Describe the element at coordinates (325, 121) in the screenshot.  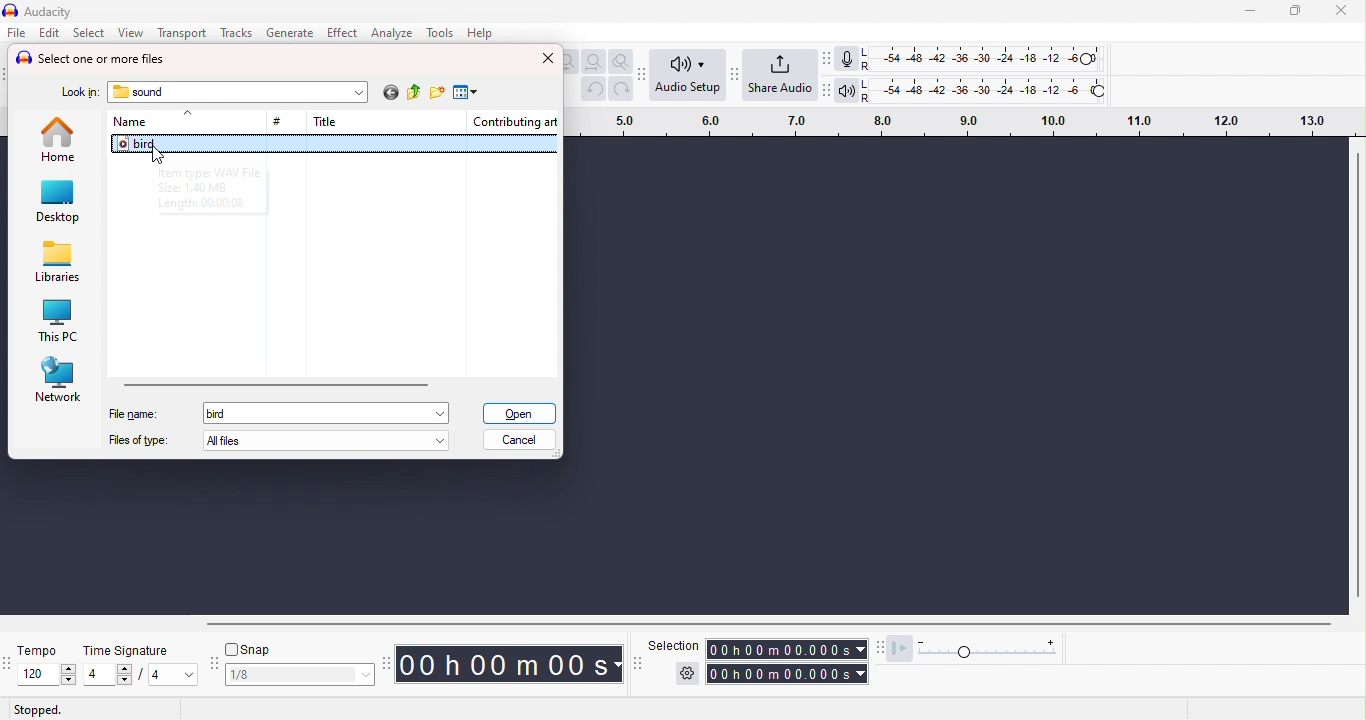
I see `title` at that location.